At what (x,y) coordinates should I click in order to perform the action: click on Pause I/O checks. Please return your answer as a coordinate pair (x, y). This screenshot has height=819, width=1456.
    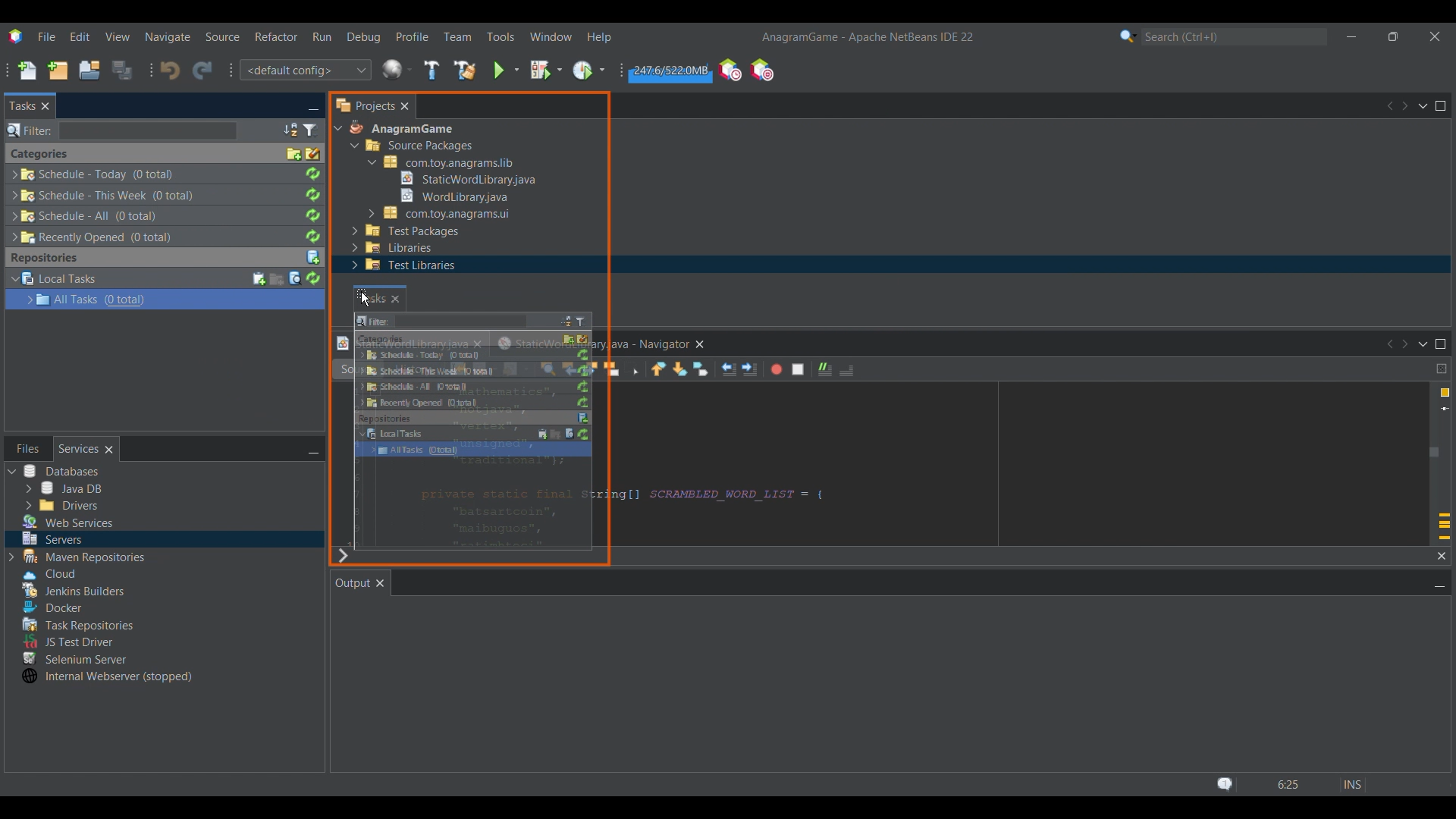
    Looking at the image, I should click on (761, 70).